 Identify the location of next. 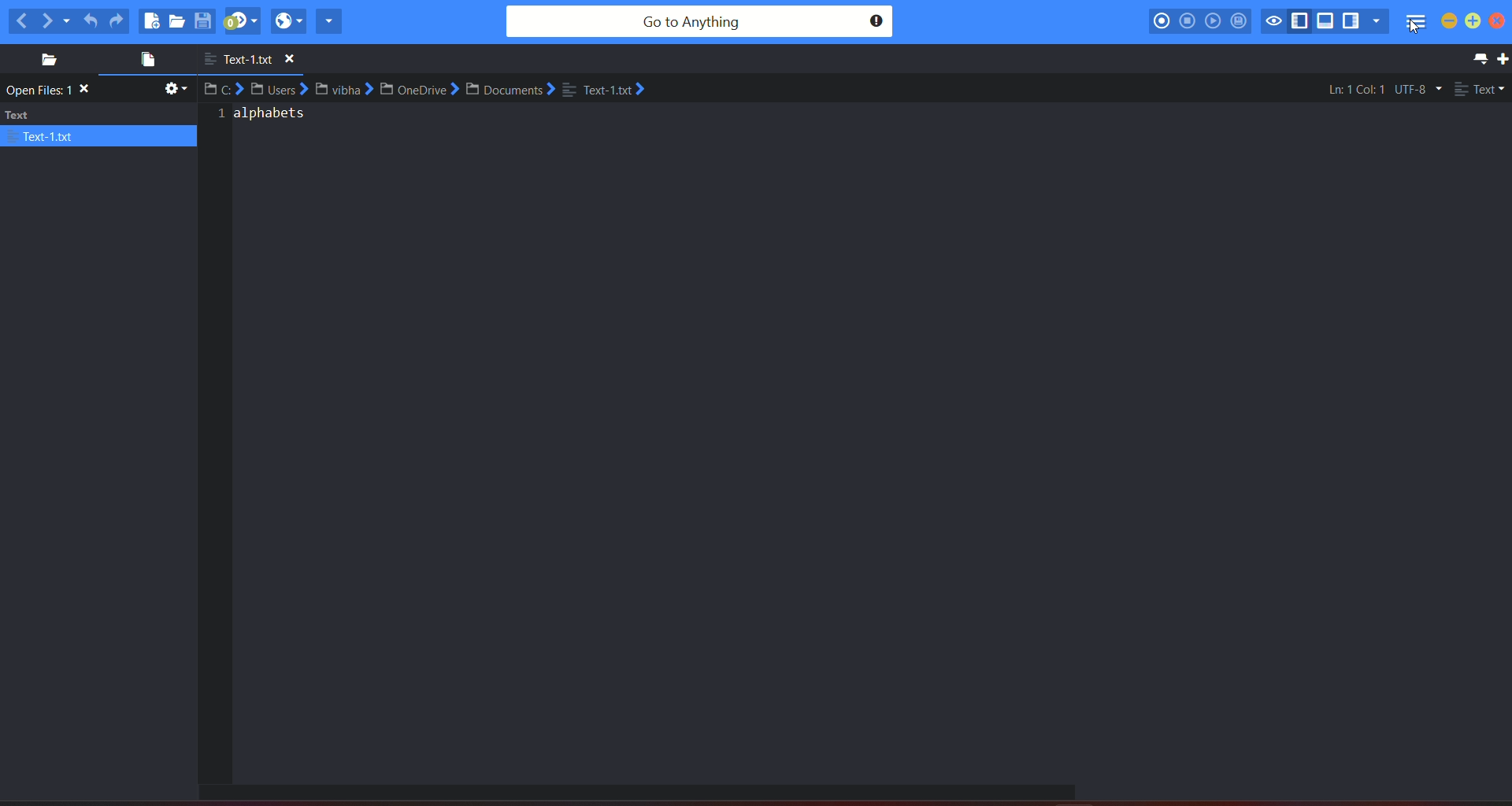
(56, 20).